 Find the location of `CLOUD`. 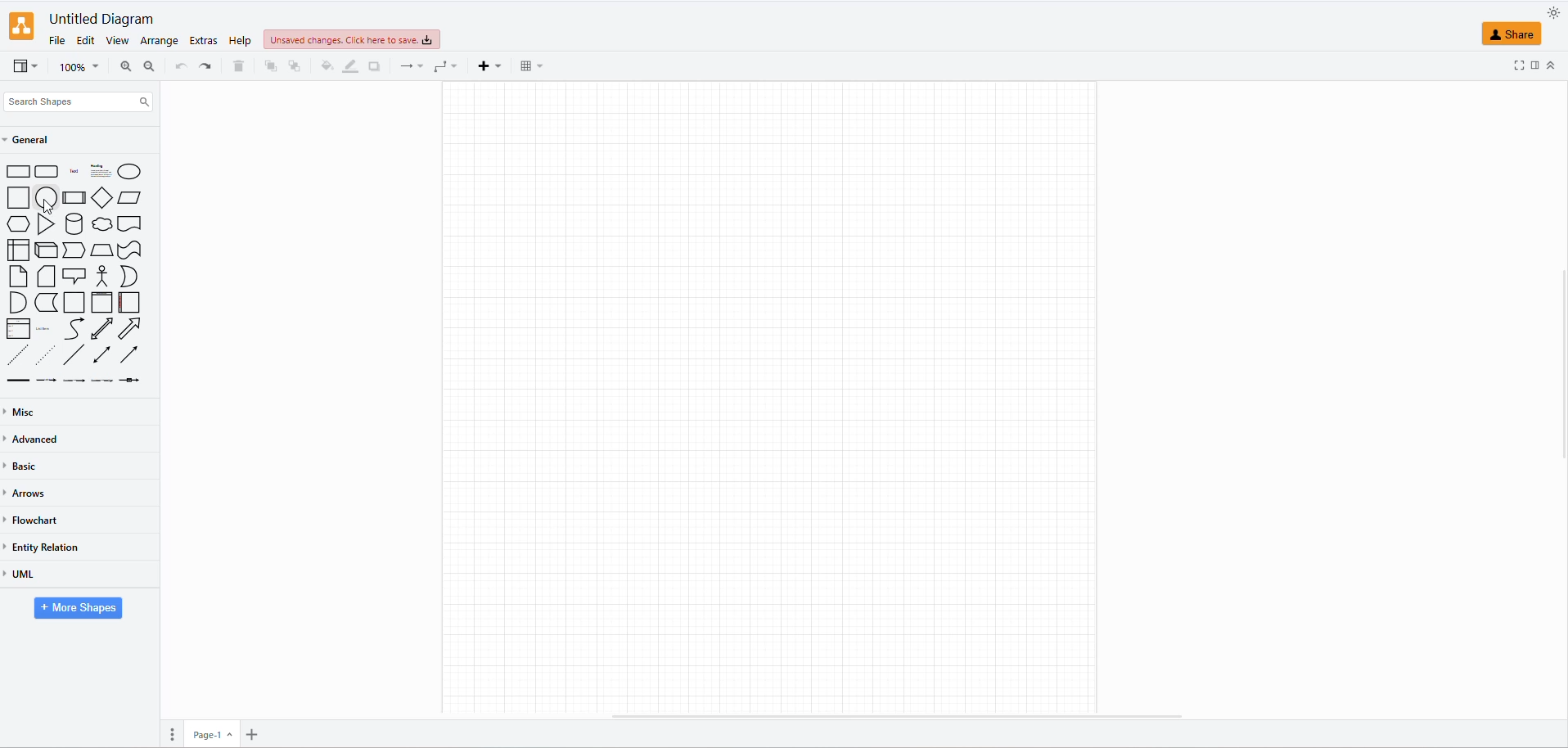

CLOUD is located at coordinates (104, 224).